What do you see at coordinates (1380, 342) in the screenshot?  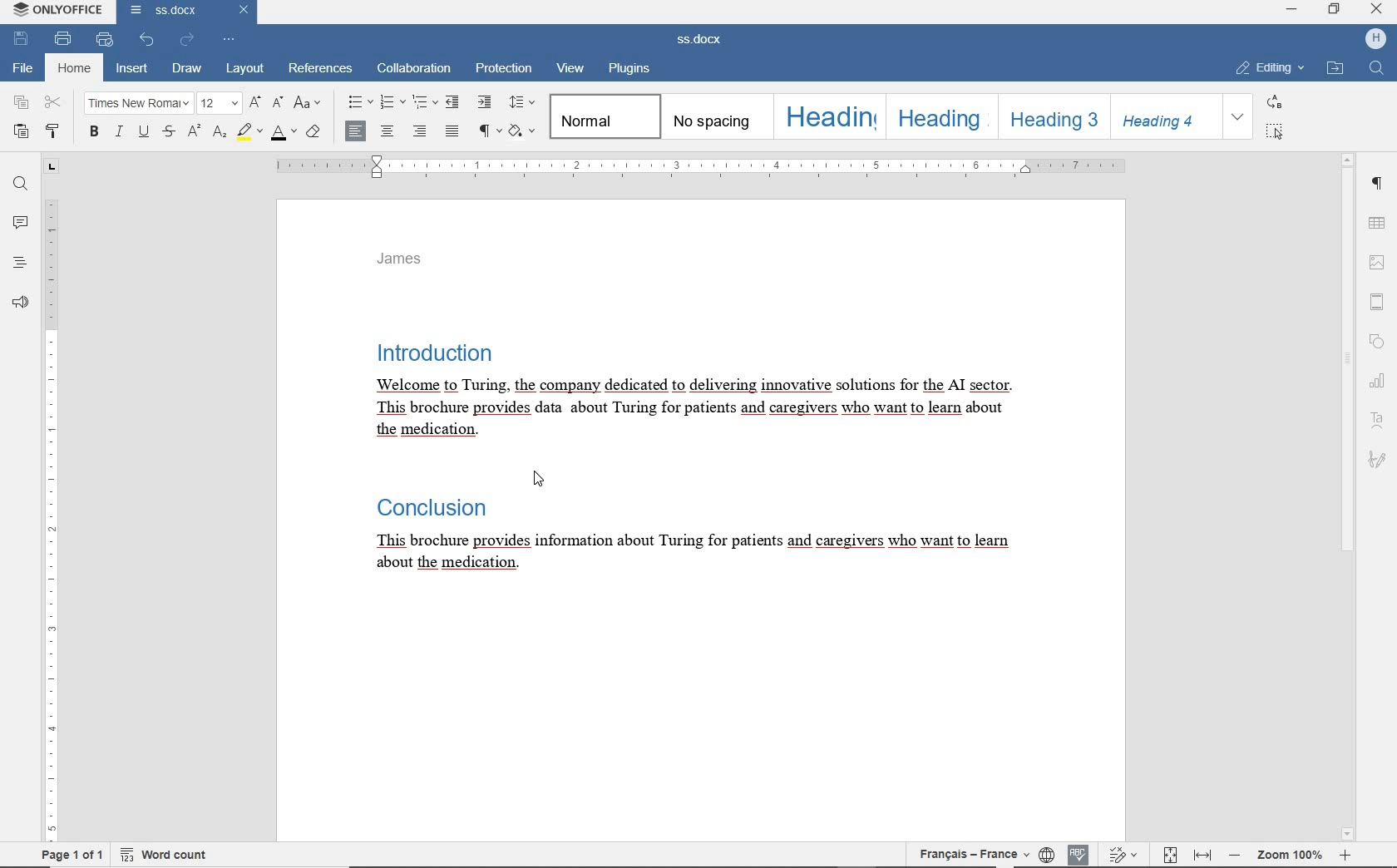 I see `SHAPE` at bounding box center [1380, 342].